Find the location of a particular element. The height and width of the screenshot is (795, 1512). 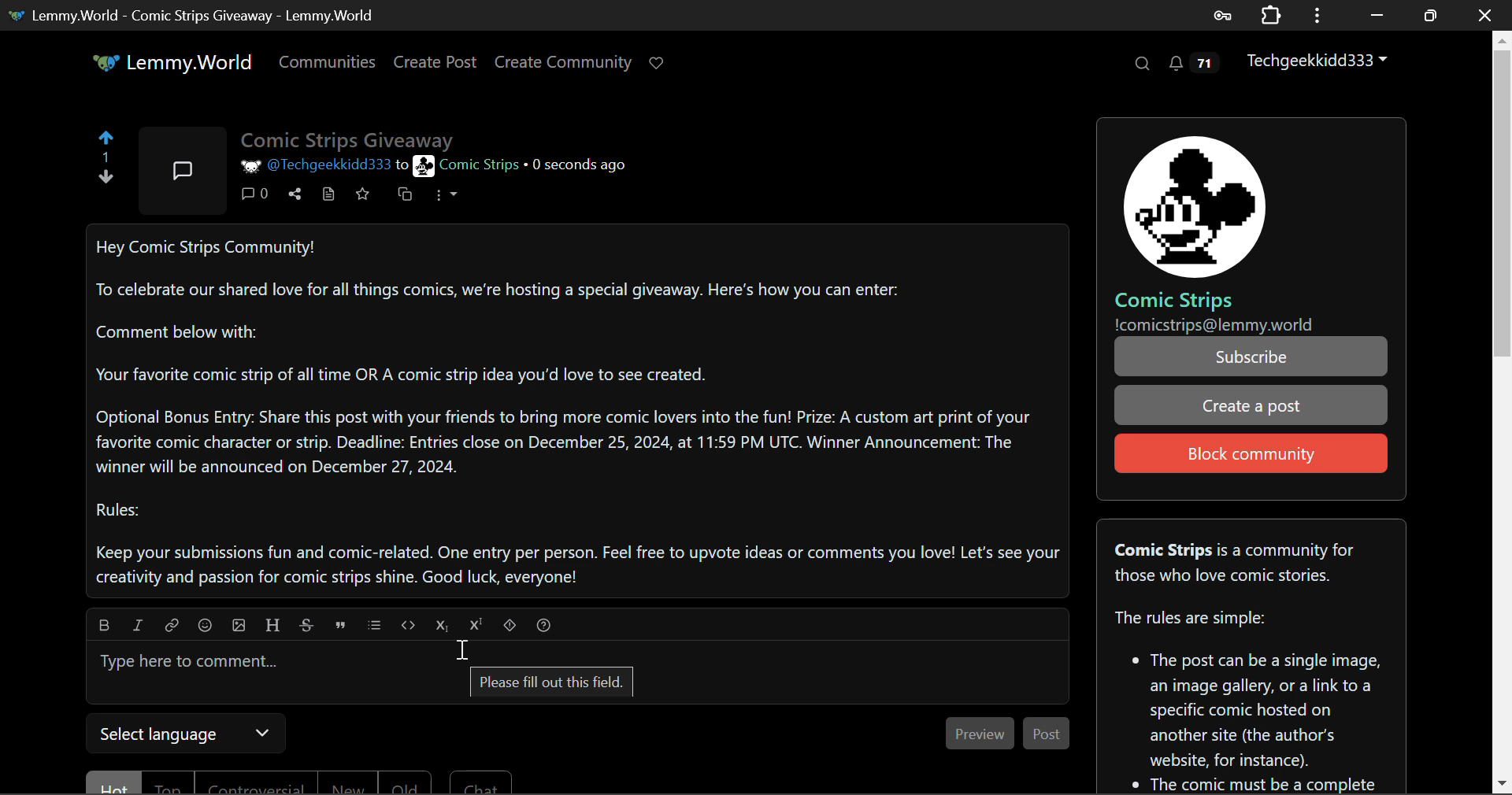

0 seconds ago is located at coordinates (583, 165).